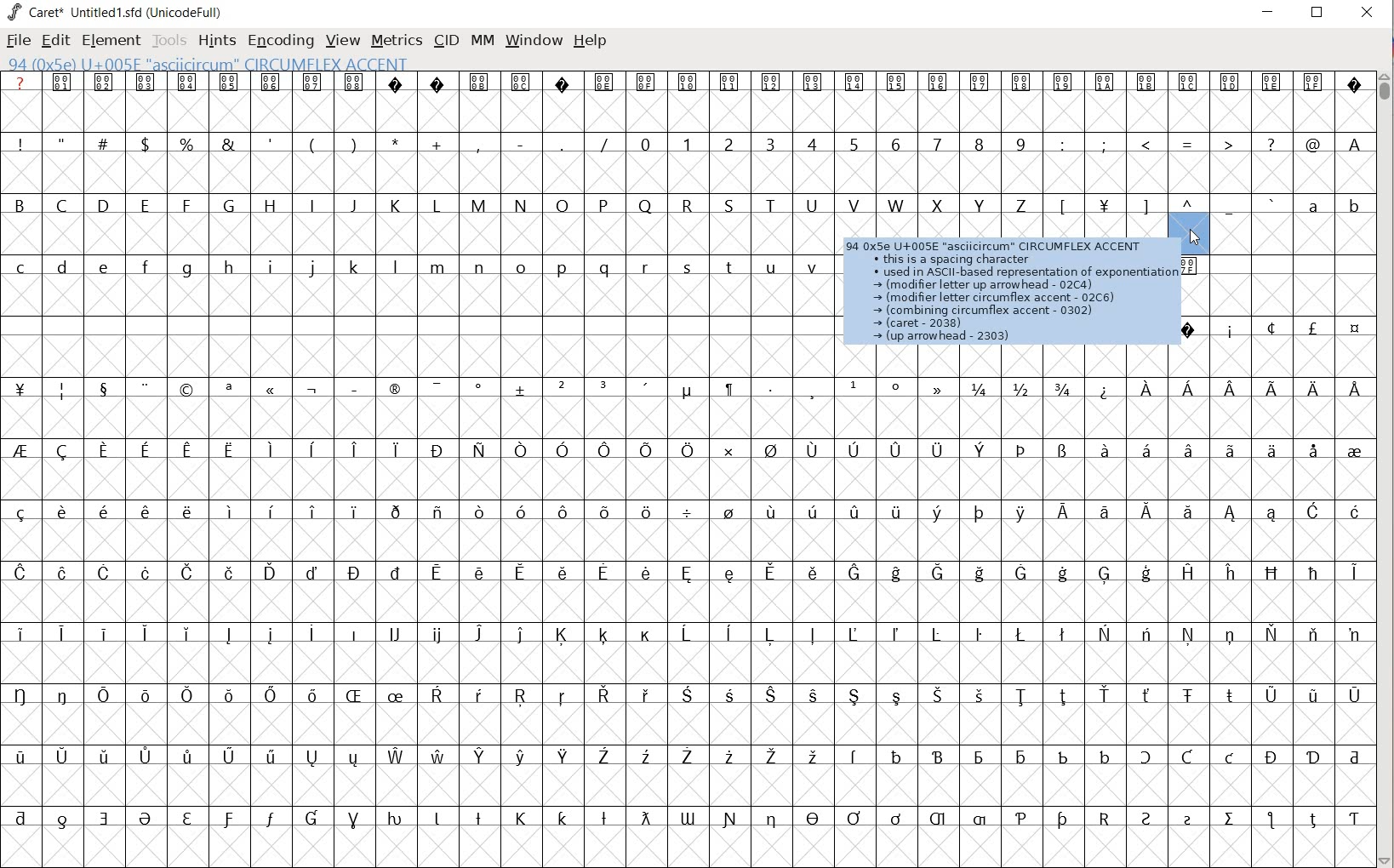  Describe the element at coordinates (1365, 14) in the screenshot. I see `CLOSE` at that location.